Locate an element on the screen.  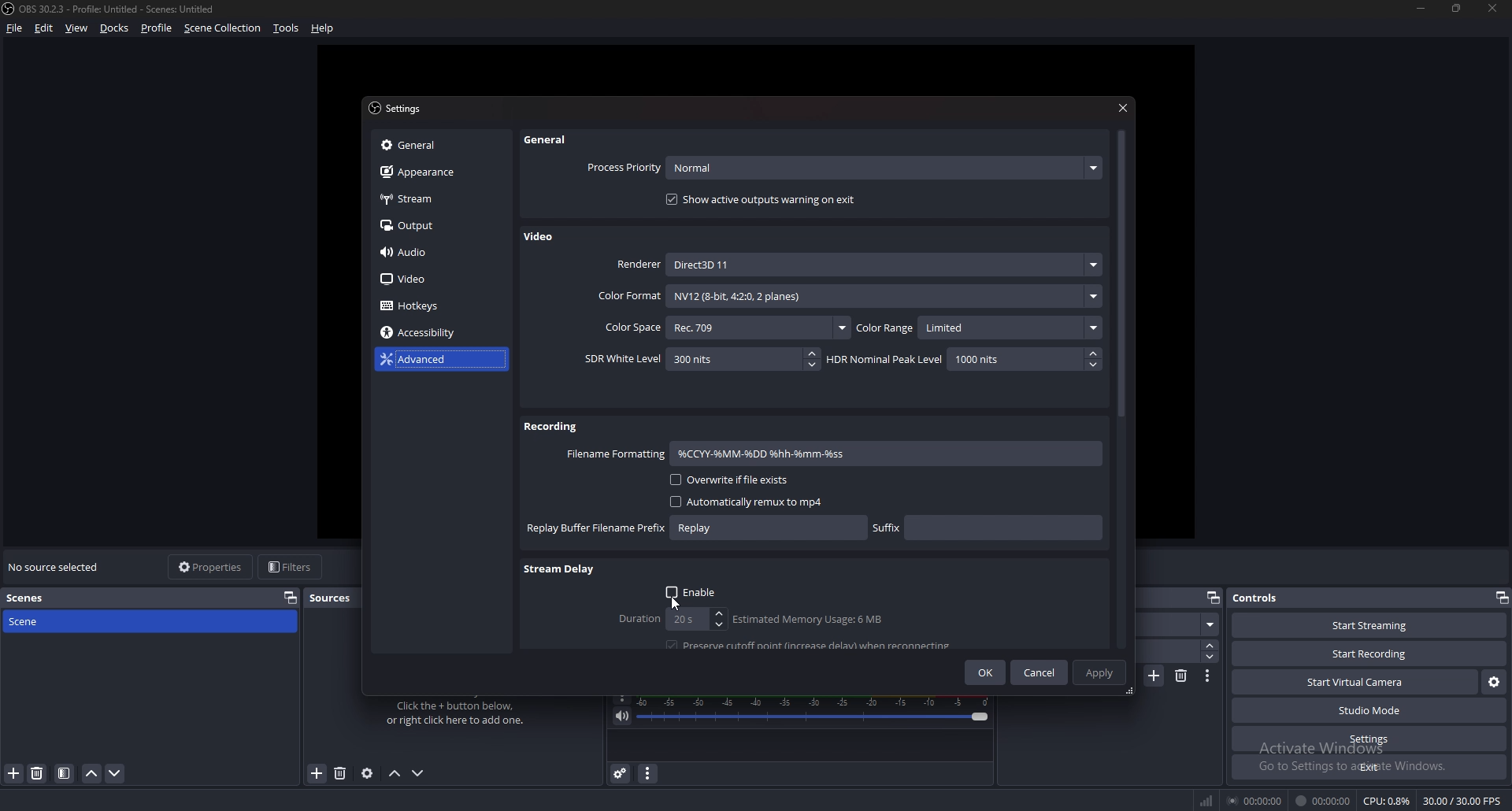
Duration is located at coordinates (669, 619).